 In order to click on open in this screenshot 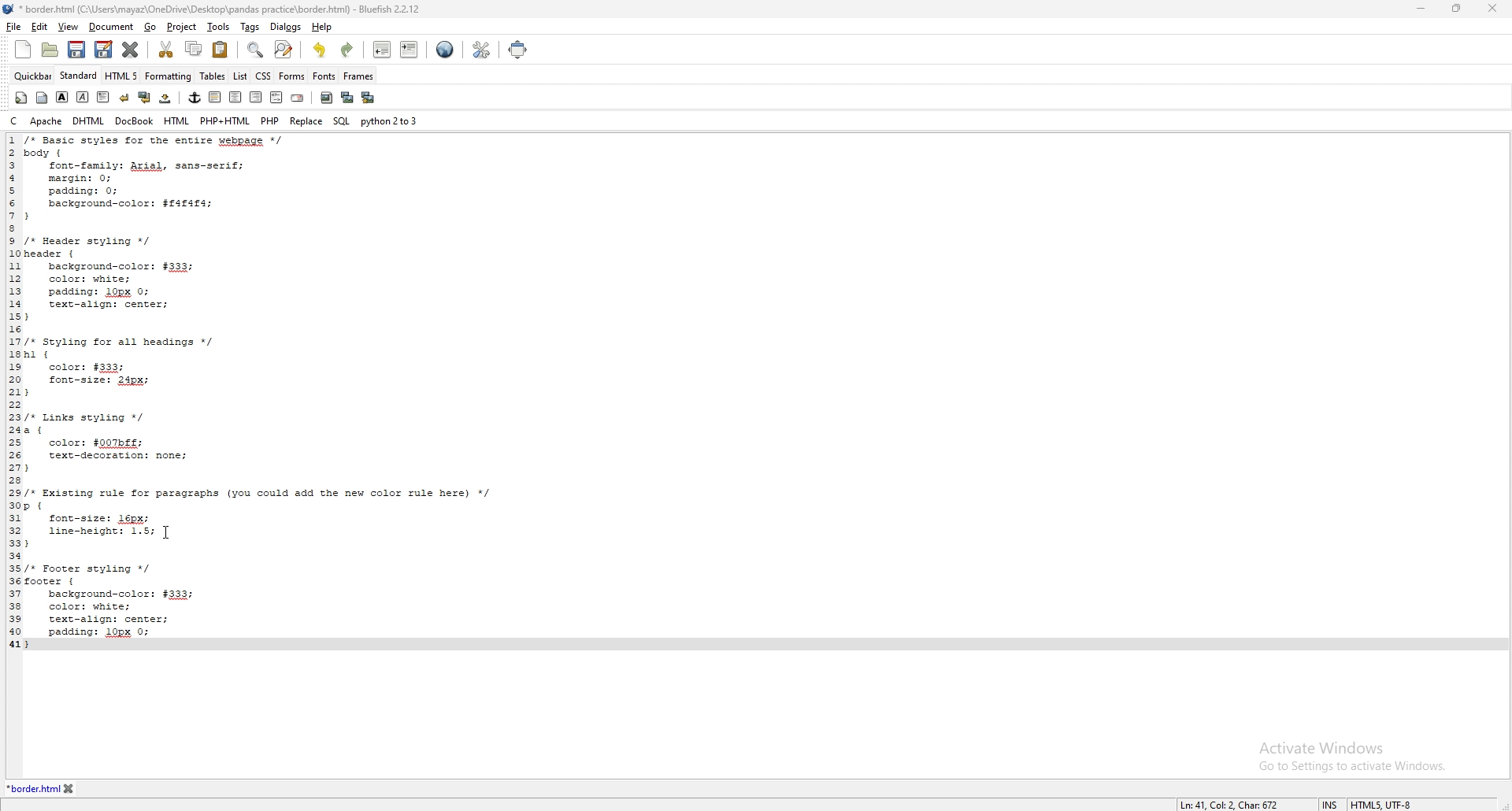, I will do `click(50, 50)`.